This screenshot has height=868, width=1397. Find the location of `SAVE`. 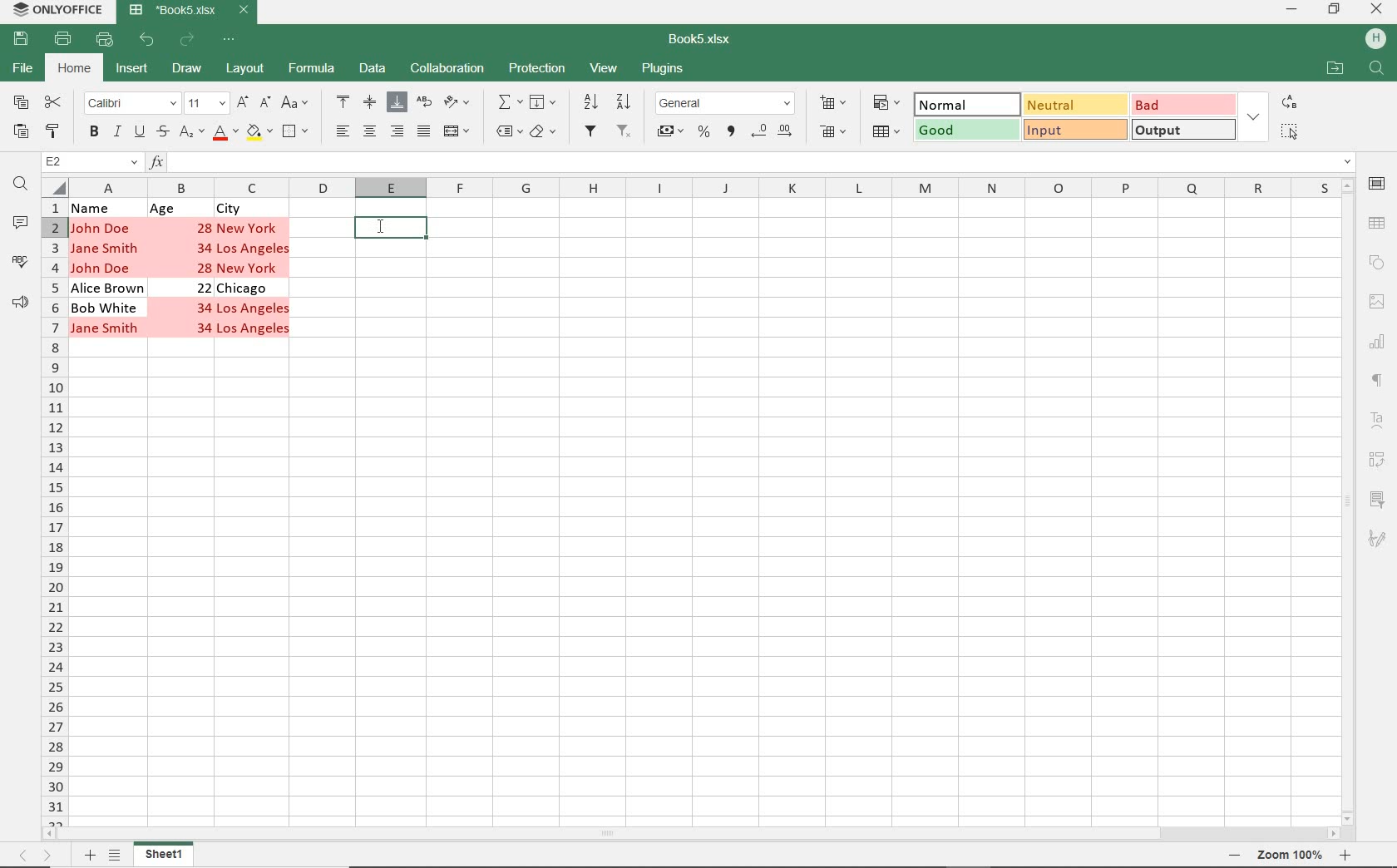

SAVE is located at coordinates (20, 39).